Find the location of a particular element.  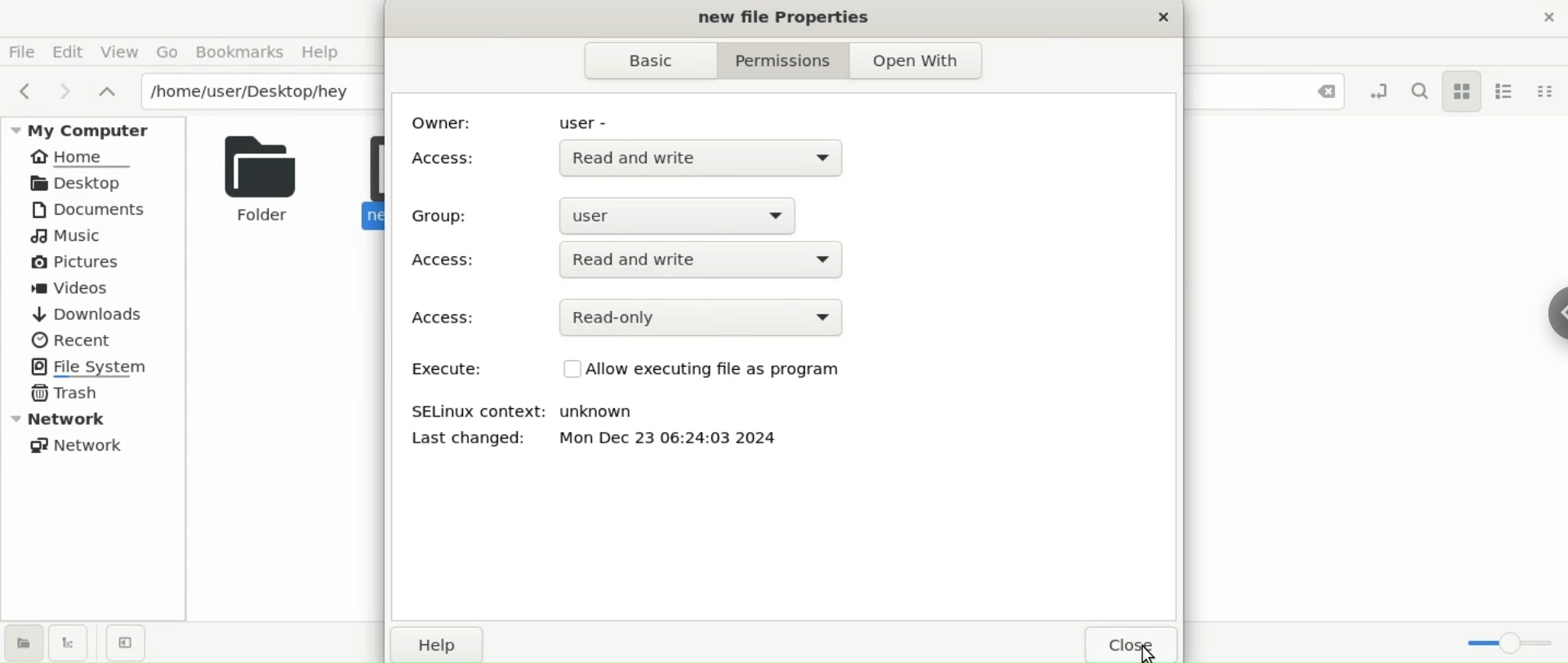

Folder is located at coordinates (256, 177).